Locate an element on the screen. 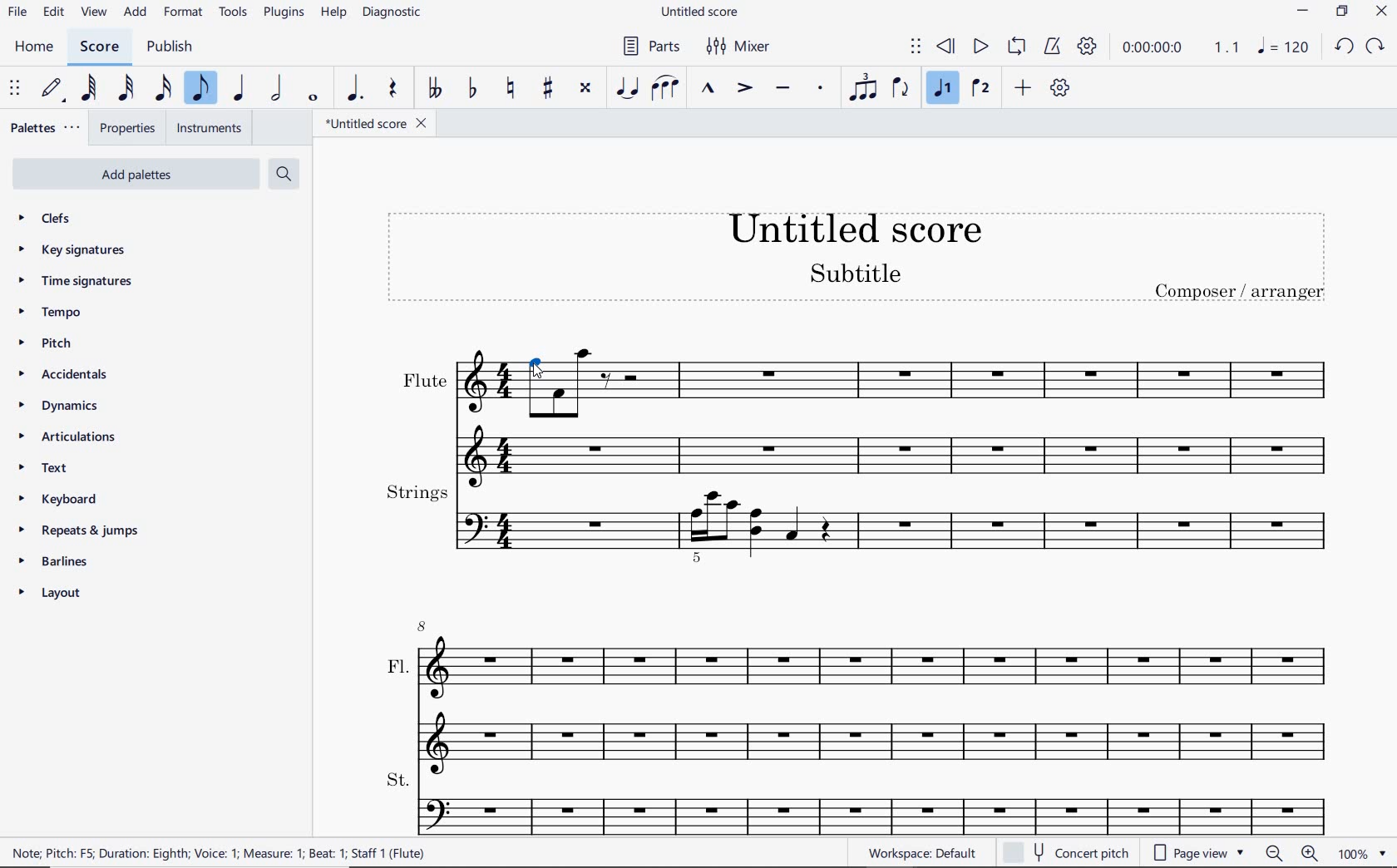 The width and height of the screenshot is (1397, 868). page view is located at coordinates (1197, 853).